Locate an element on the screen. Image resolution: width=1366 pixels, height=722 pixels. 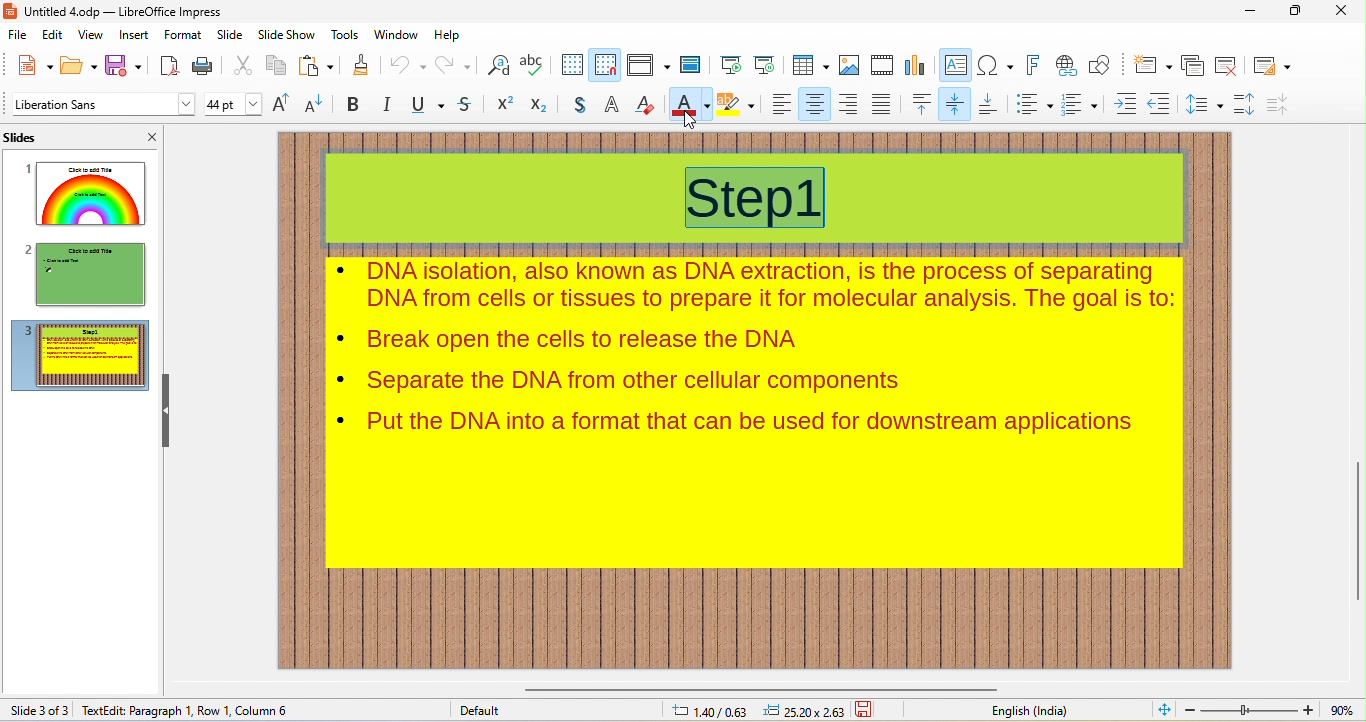
title selected is located at coordinates (764, 203).